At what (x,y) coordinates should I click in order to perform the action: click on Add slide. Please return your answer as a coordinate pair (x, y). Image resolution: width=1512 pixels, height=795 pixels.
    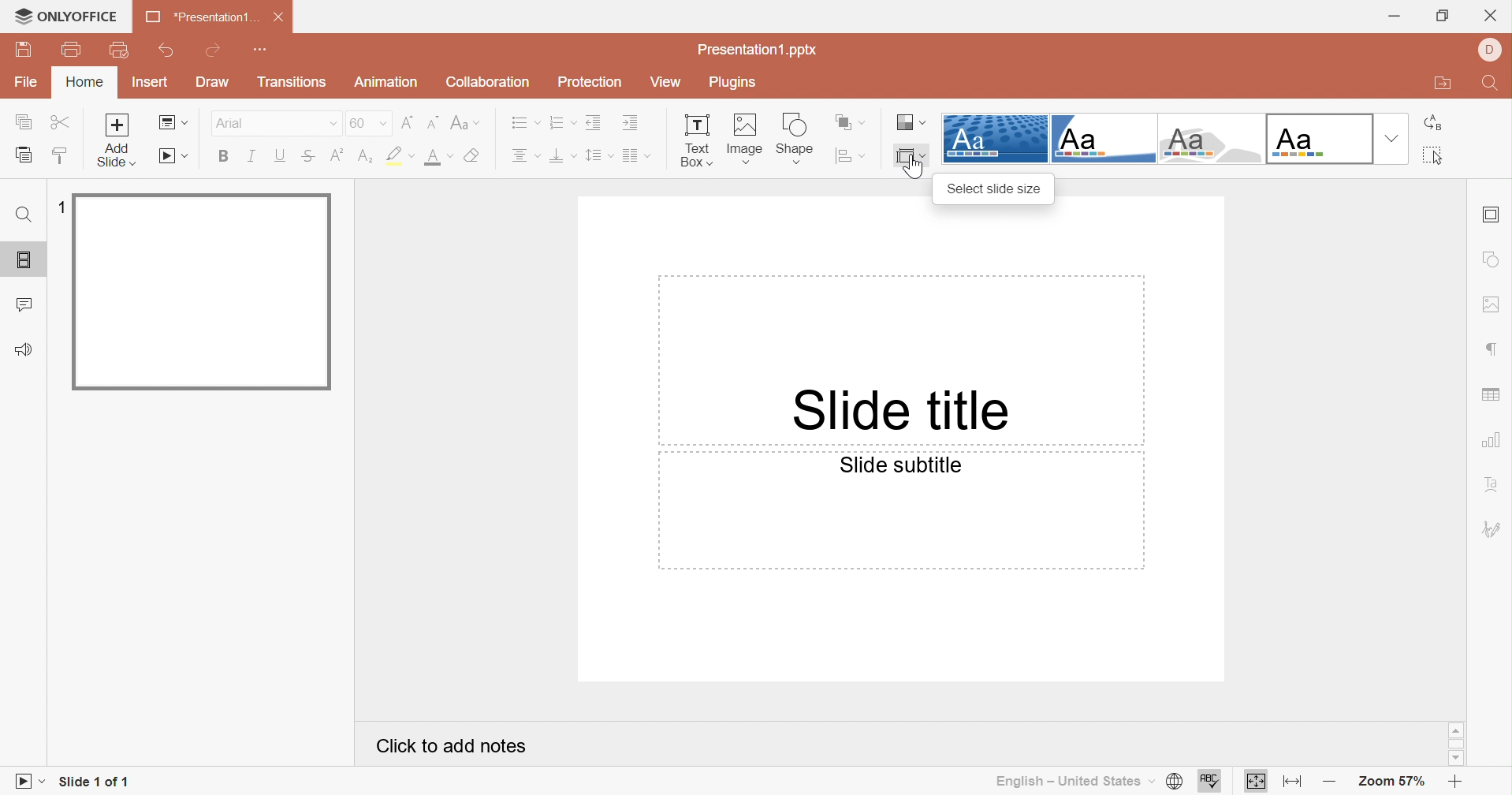
    Looking at the image, I should click on (115, 125).